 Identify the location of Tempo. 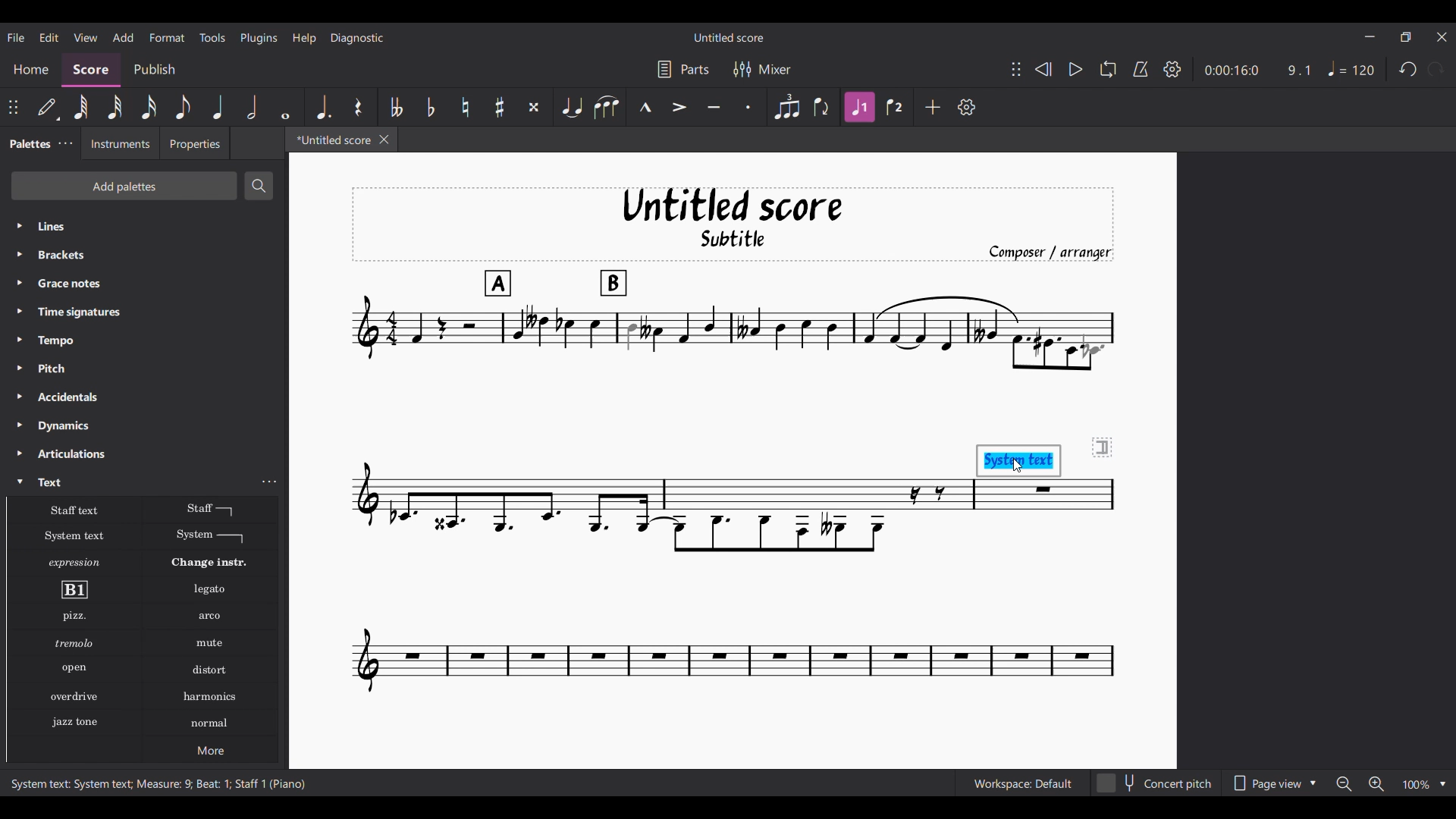
(144, 340).